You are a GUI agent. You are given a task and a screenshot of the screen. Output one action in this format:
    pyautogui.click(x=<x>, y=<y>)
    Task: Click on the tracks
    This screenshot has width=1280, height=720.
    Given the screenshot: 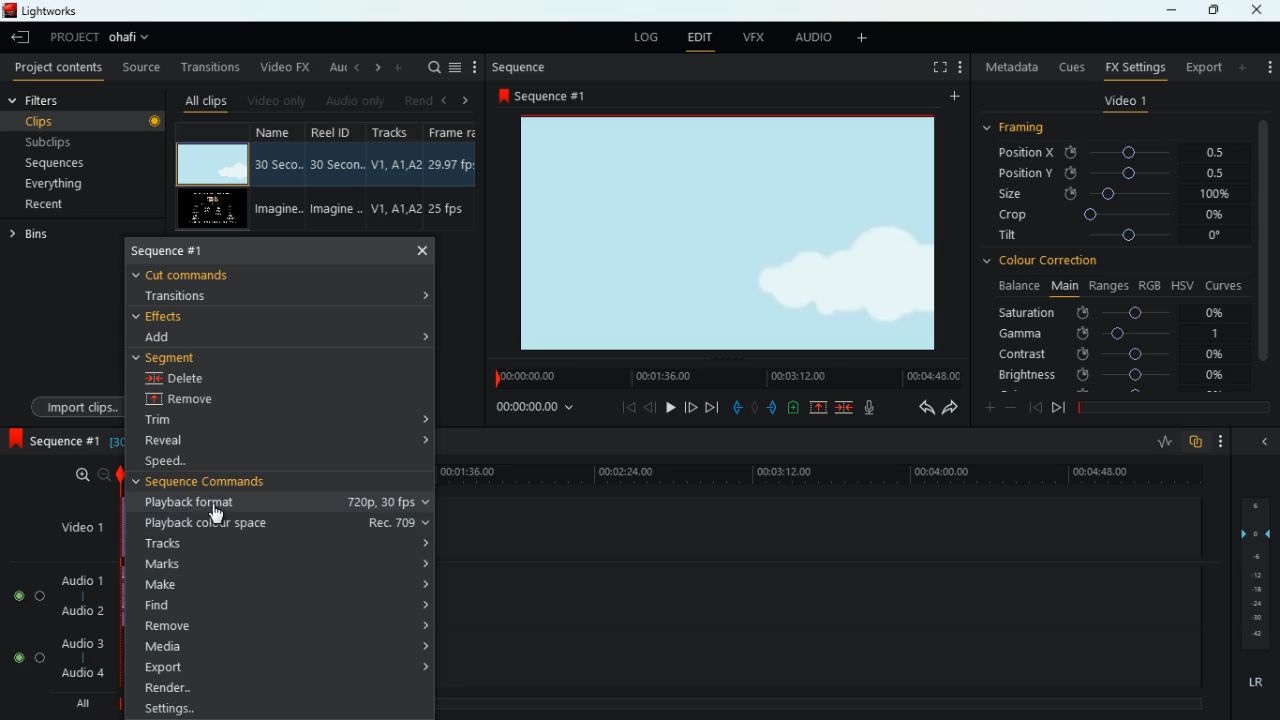 What is the action you would take?
    pyautogui.click(x=286, y=543)
    